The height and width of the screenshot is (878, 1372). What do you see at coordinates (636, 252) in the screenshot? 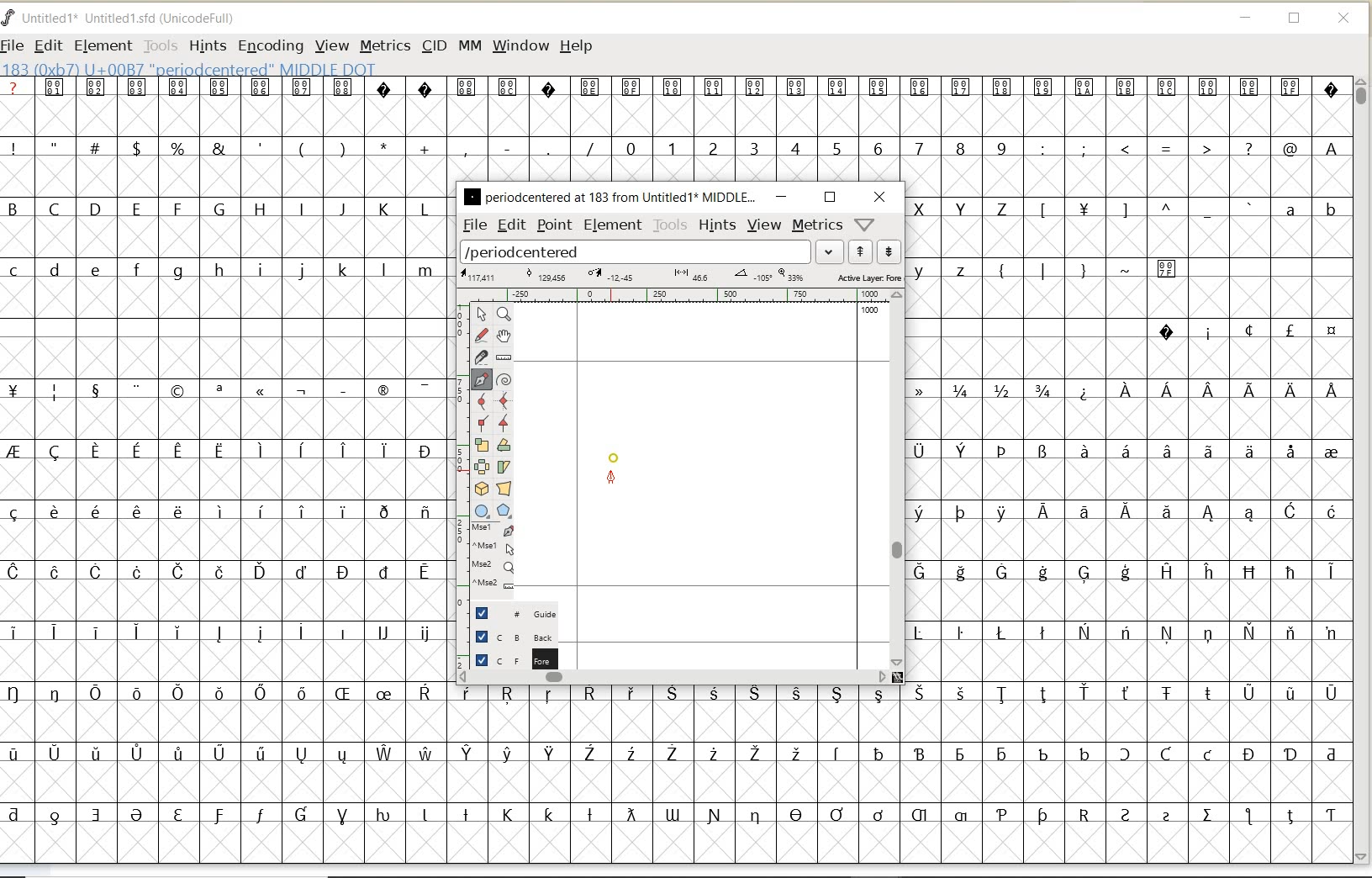
I see `load word list` at bounding box center [636, 252].